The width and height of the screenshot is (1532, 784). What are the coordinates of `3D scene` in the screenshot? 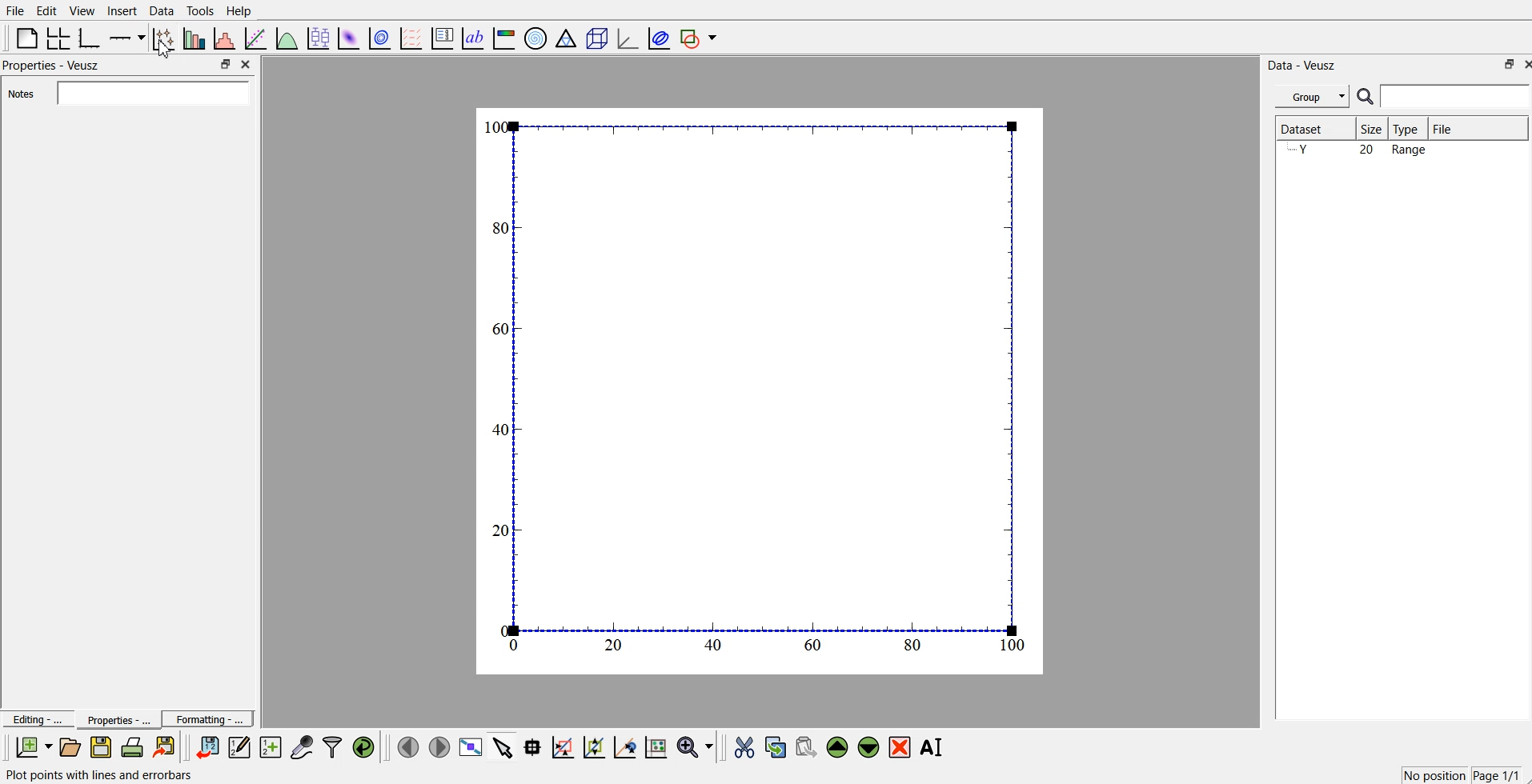 It's located at (596, 37).